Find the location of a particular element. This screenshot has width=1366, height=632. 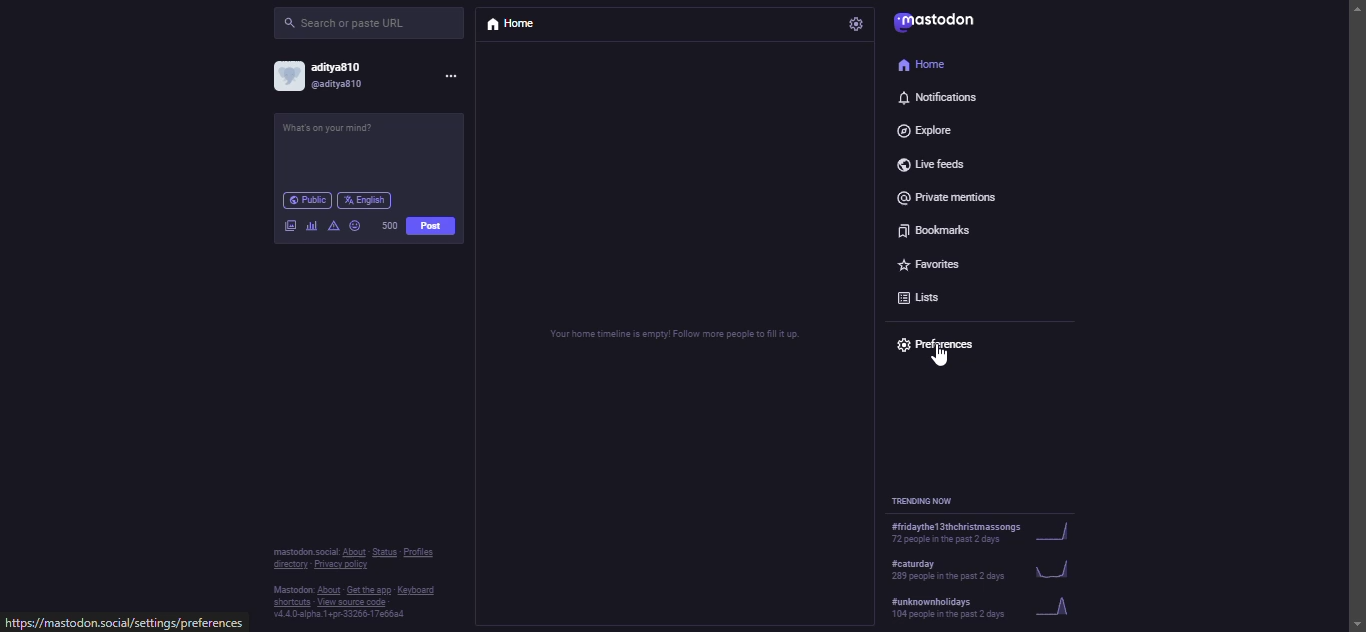

favorites is located at coordinates (935, 261).